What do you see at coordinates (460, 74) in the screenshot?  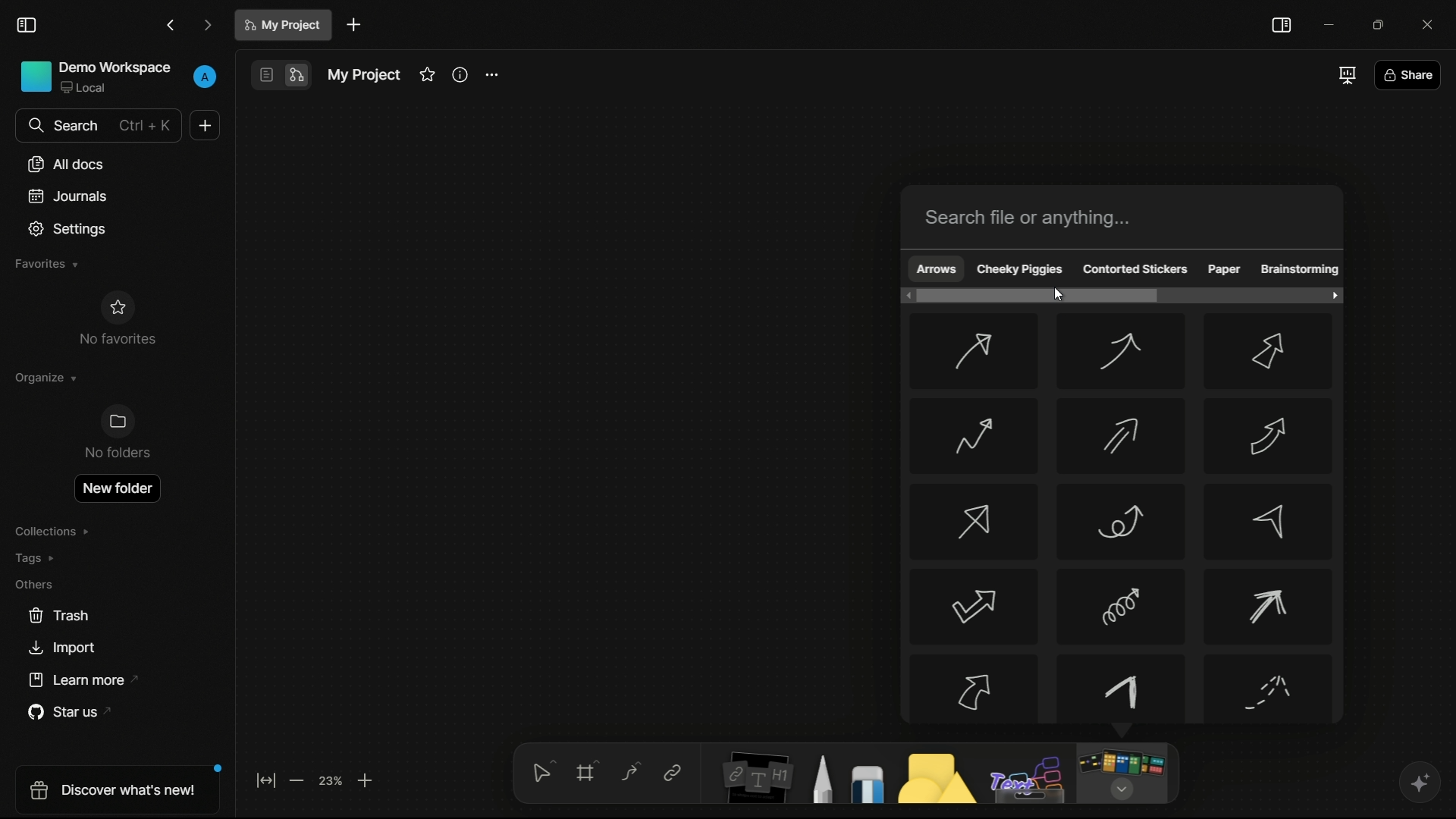 I see `informations` at bounding box center [460, 74].